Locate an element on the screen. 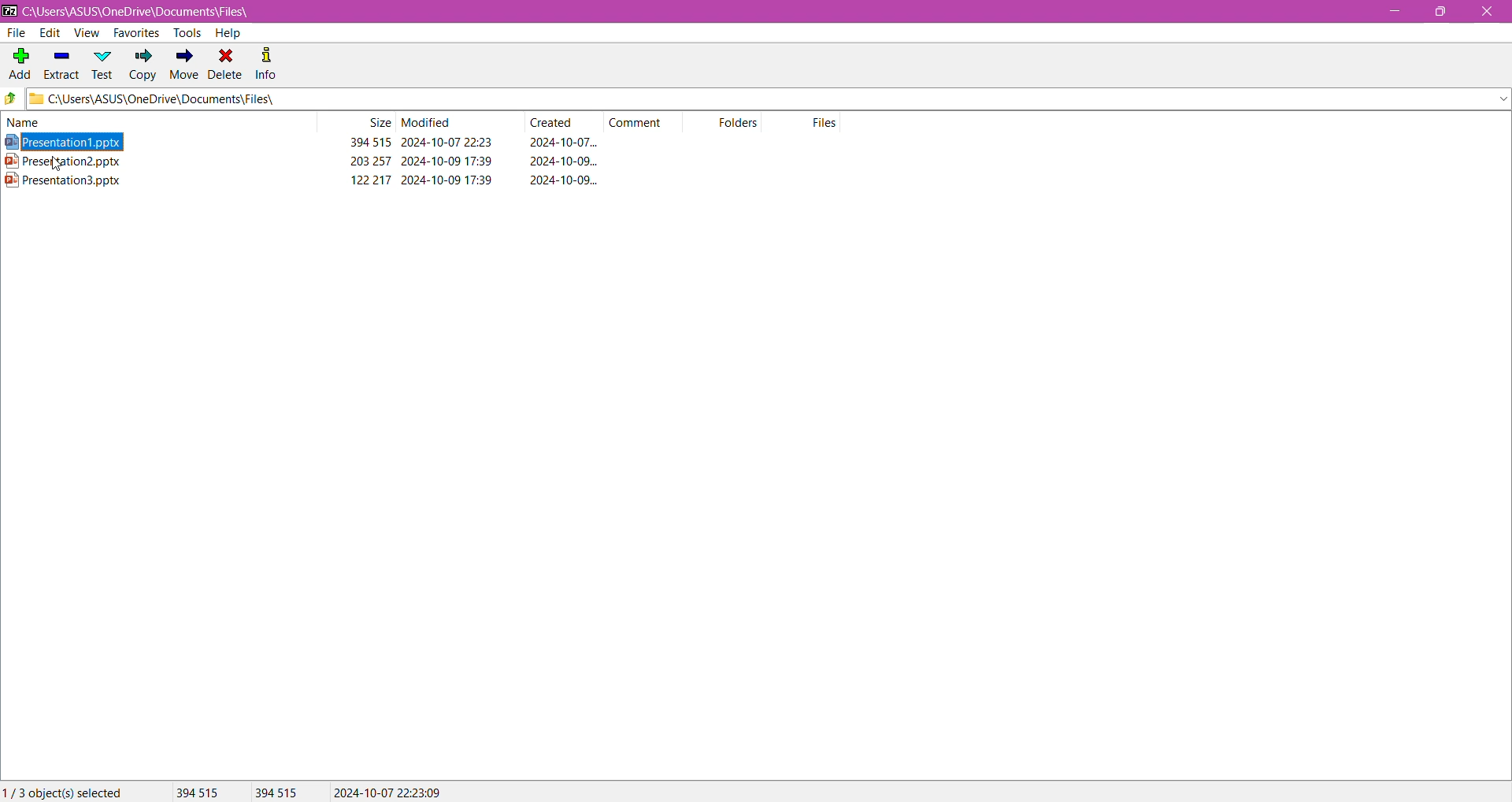  Presentation3.pptx 122217 2024-10-09 17:39 2024-10-09... is located at coordinates (315, 180).